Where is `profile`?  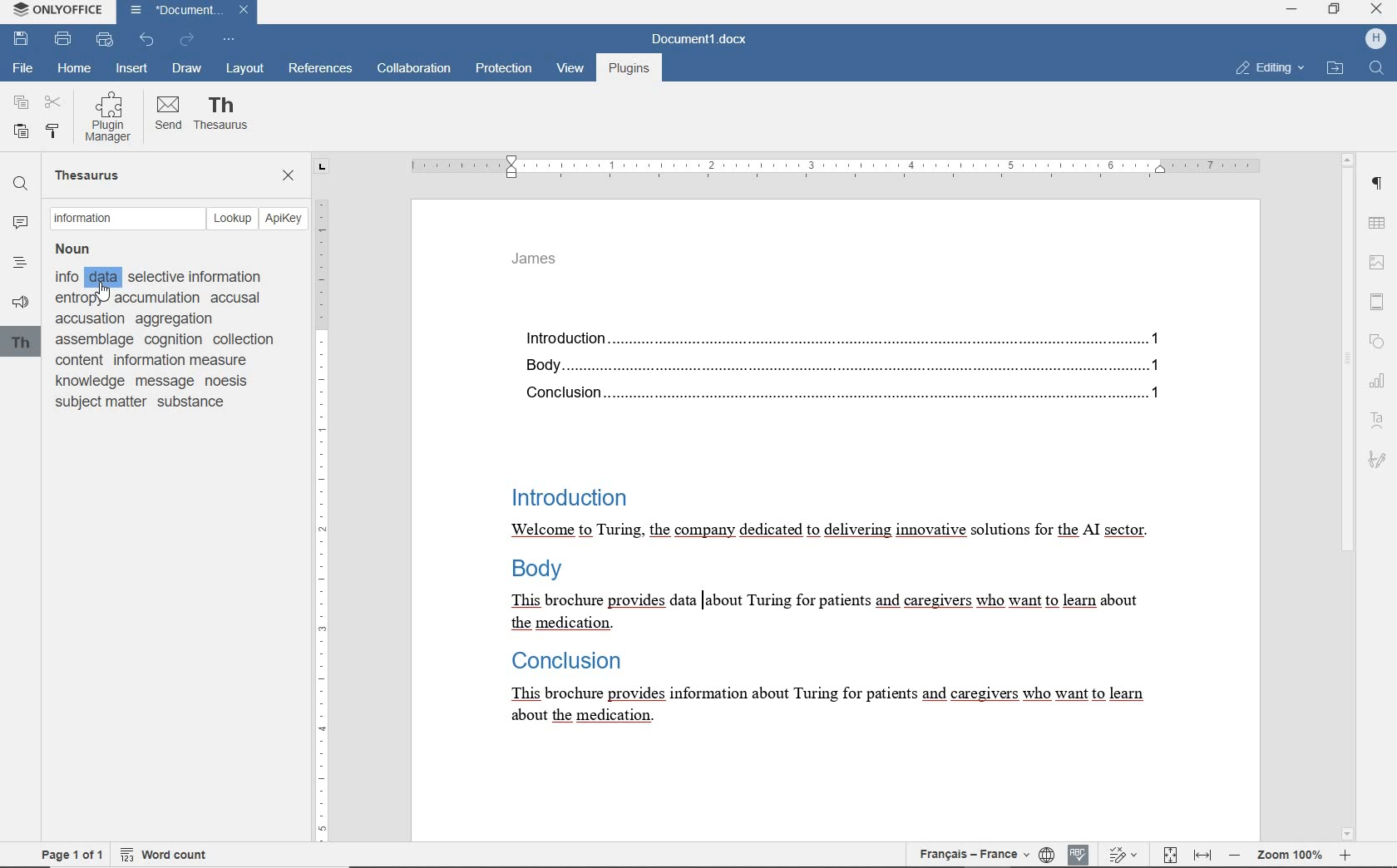
profile is located at coordinates (1375, 40).